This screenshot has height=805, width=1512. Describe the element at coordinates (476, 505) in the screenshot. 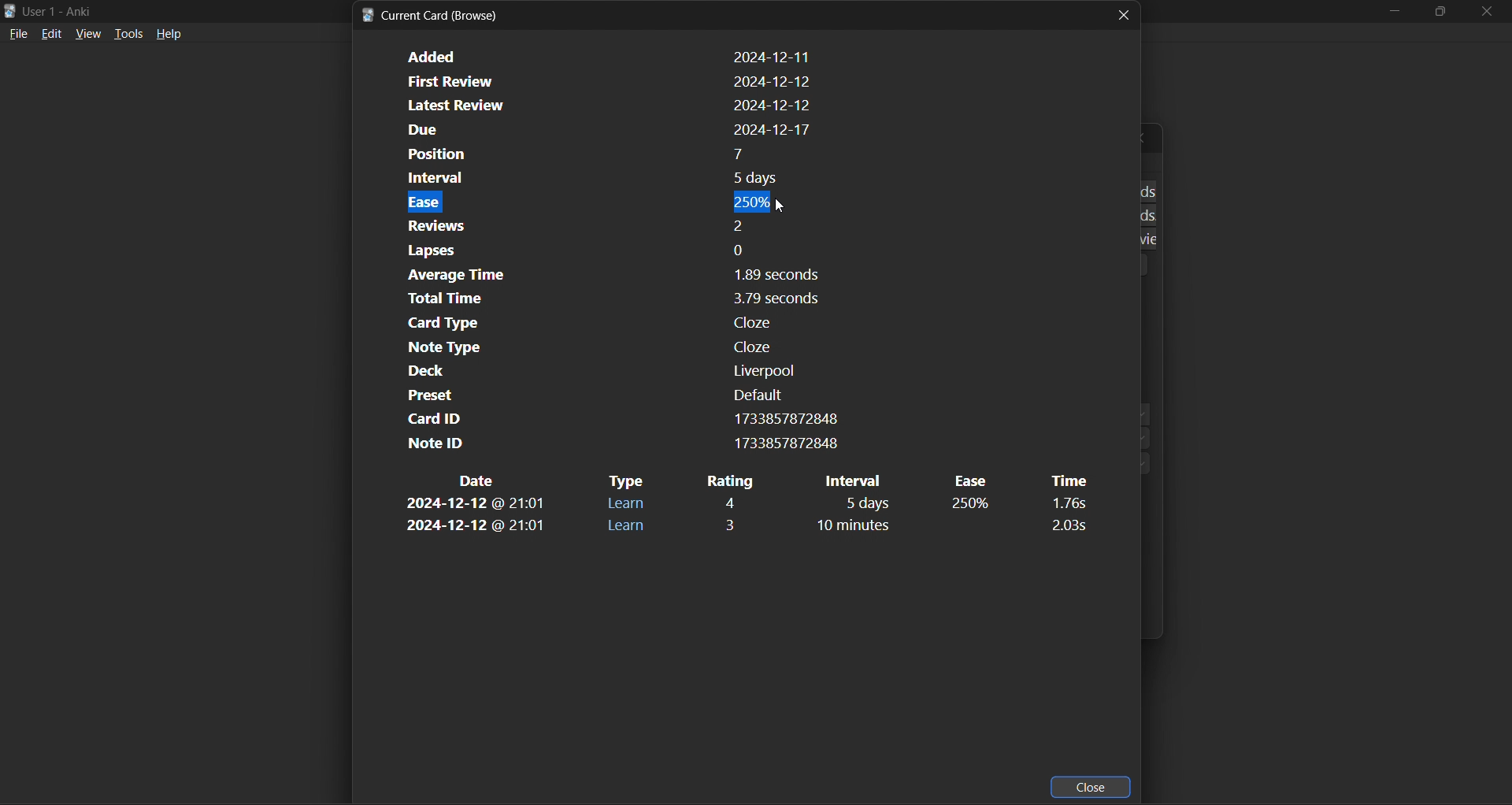

I see `date` at that location.